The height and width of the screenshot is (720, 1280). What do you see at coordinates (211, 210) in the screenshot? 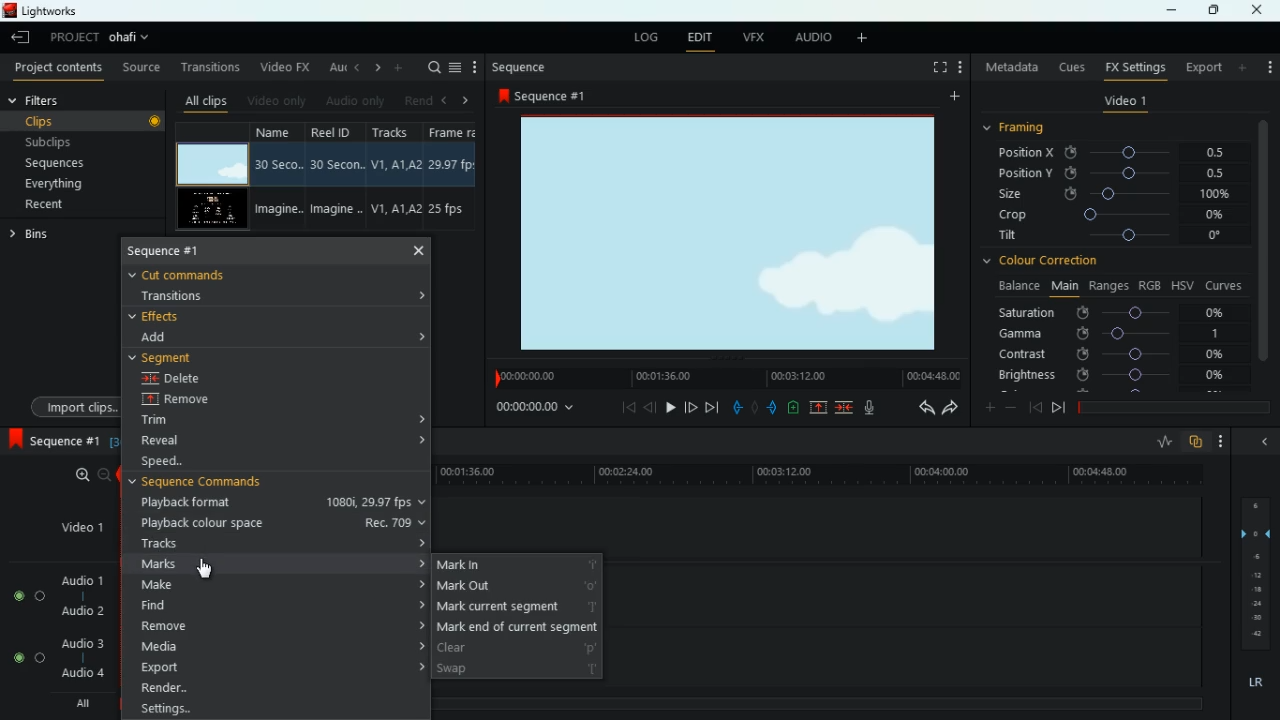
I see `screen` at bounding box center [211, 210].